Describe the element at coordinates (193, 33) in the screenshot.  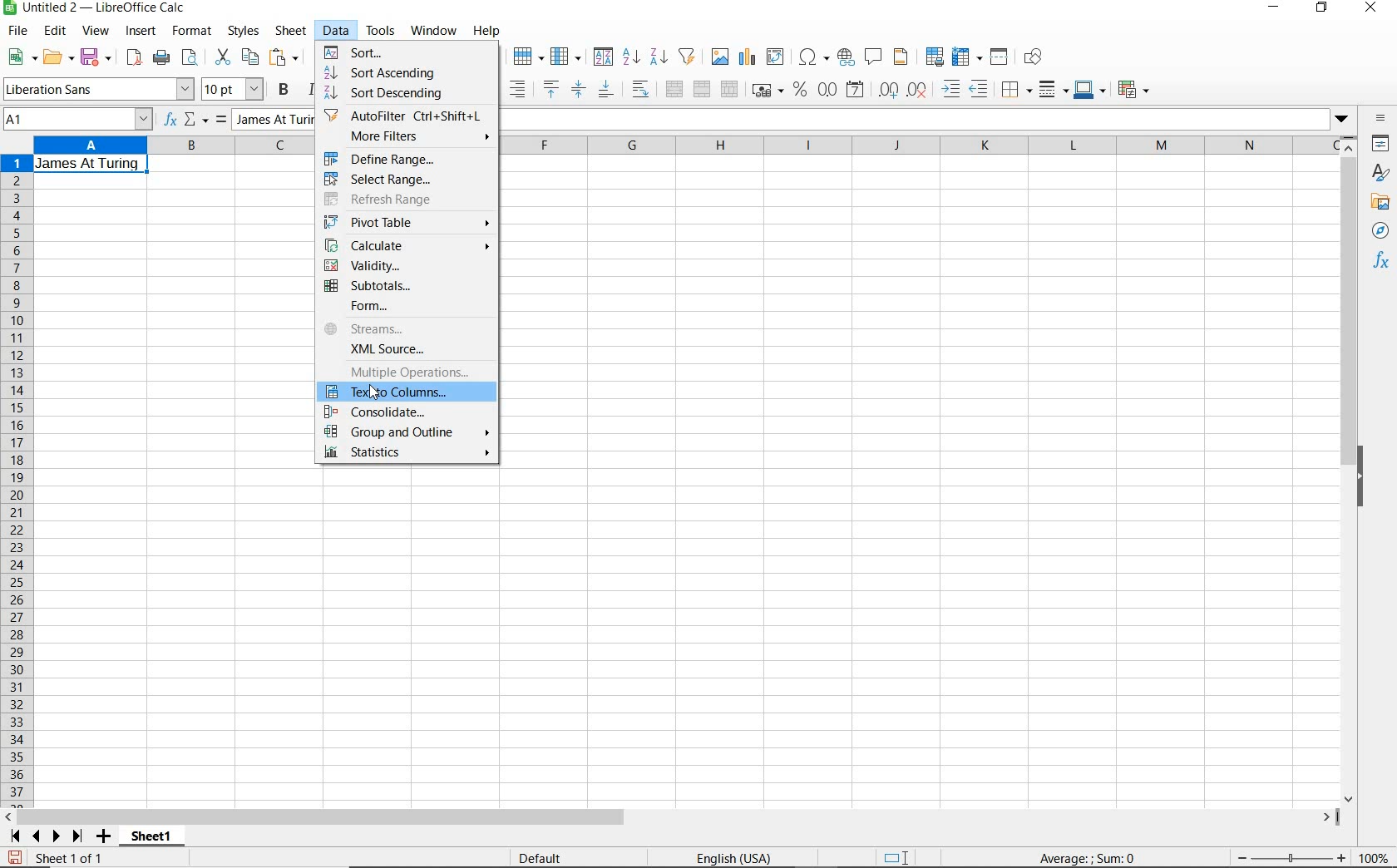
I see `format` at that location.